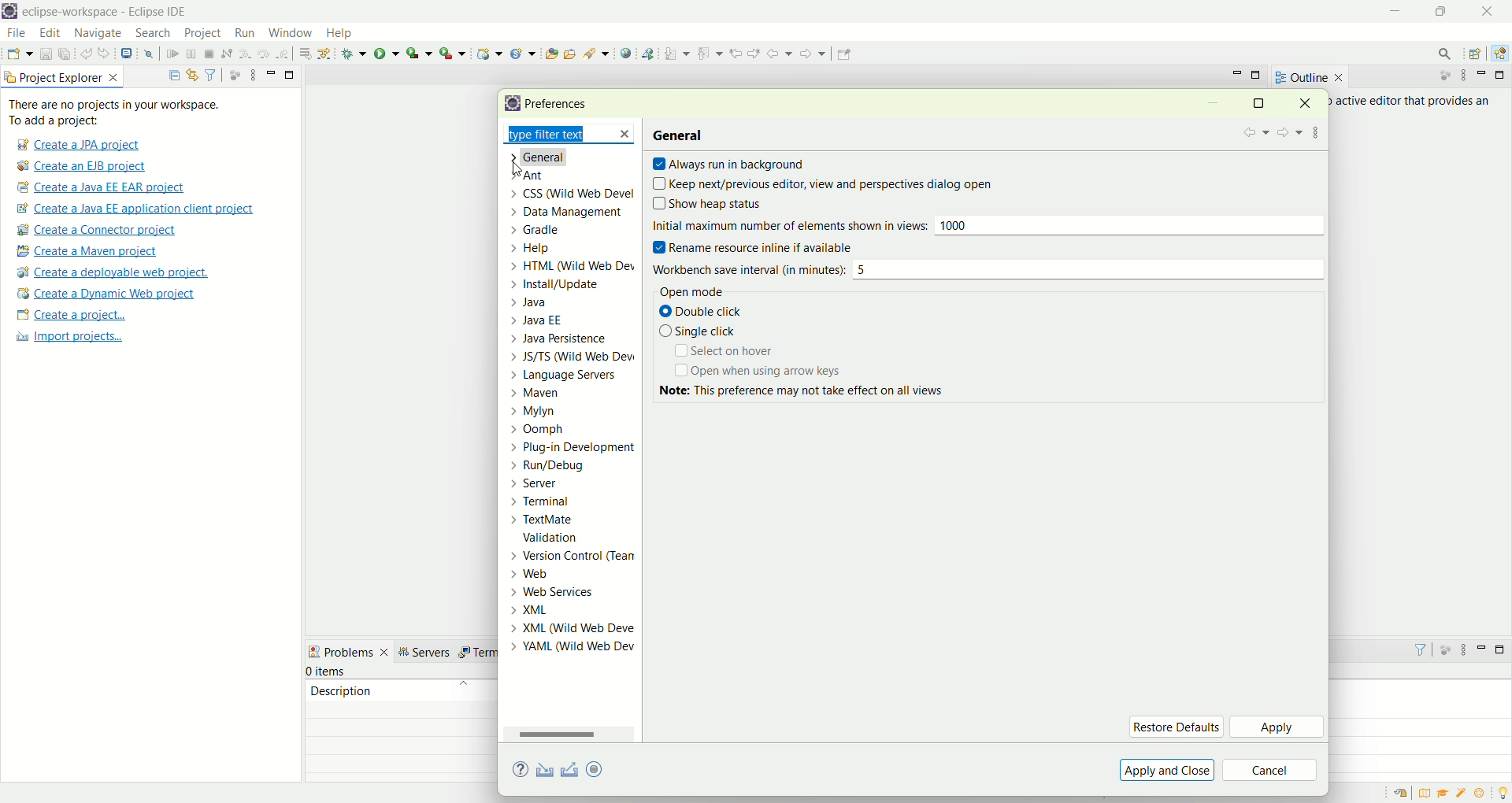 Image resolution: width=1512 pixels, height=803 pixels. Describe the element at coordinates (1270, 772) in the screenshot. I see `cancel` at that location.